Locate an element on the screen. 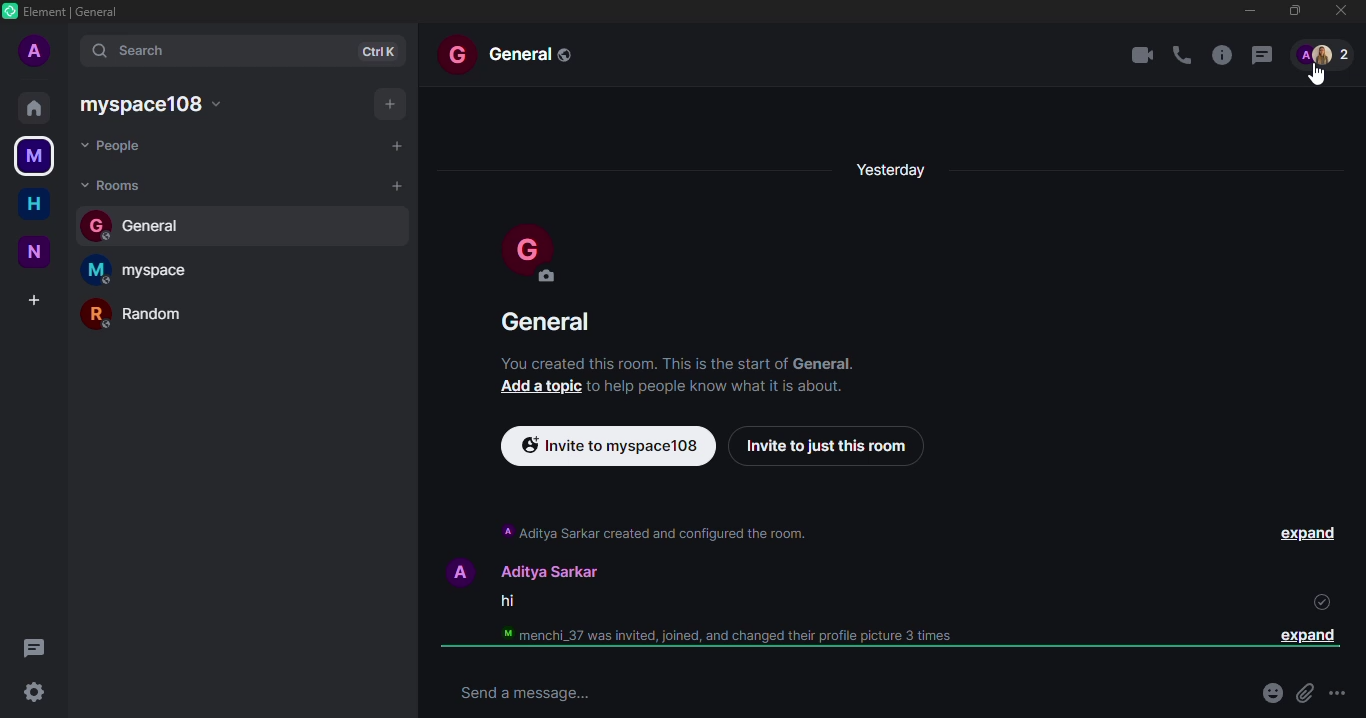 The height and width of the screenshot is (718, 1366). general is located at coordinates (515, 53).